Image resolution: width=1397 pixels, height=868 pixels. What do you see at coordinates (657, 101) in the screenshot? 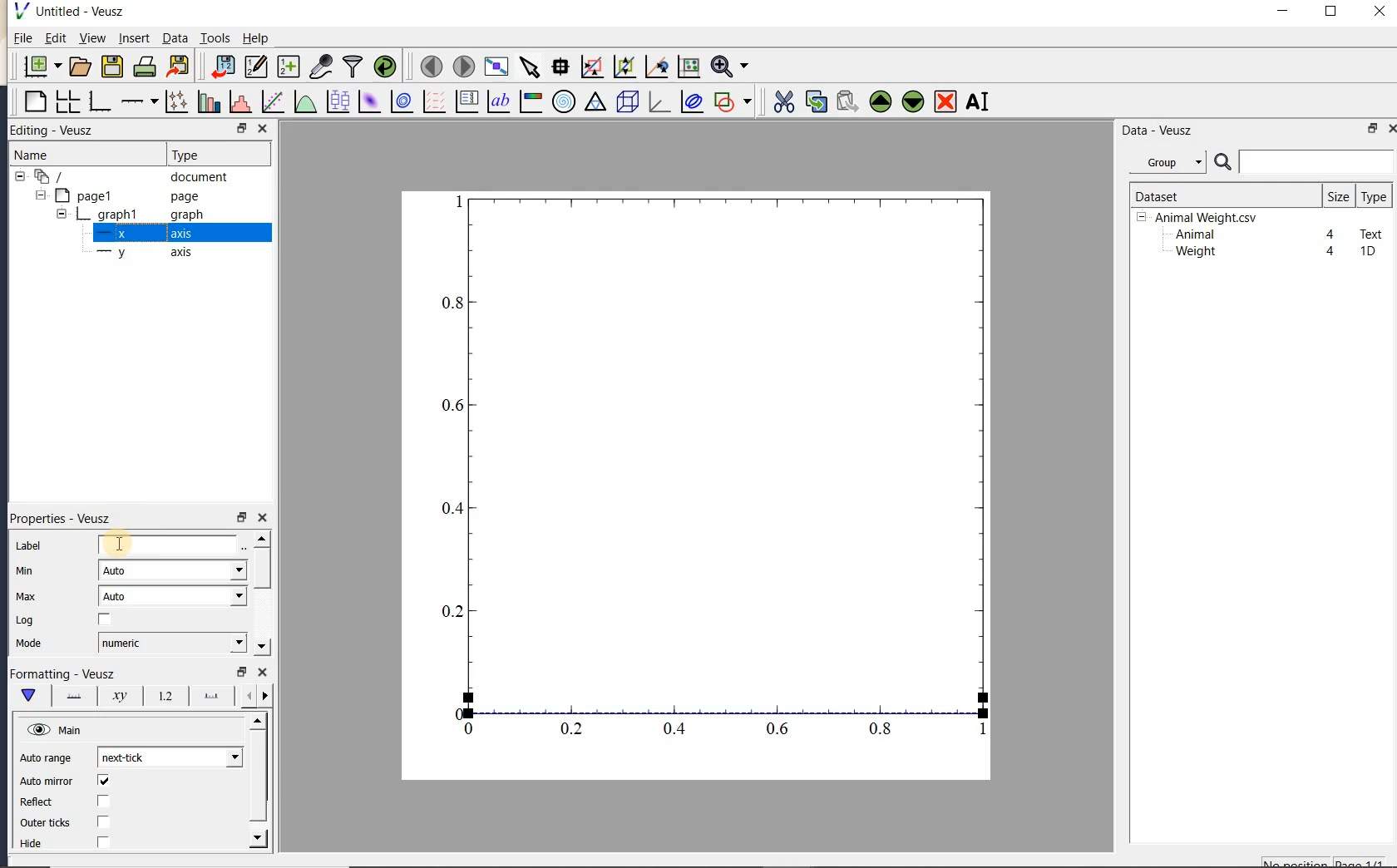
I see `3d graph` at bounding box center [657, 101].